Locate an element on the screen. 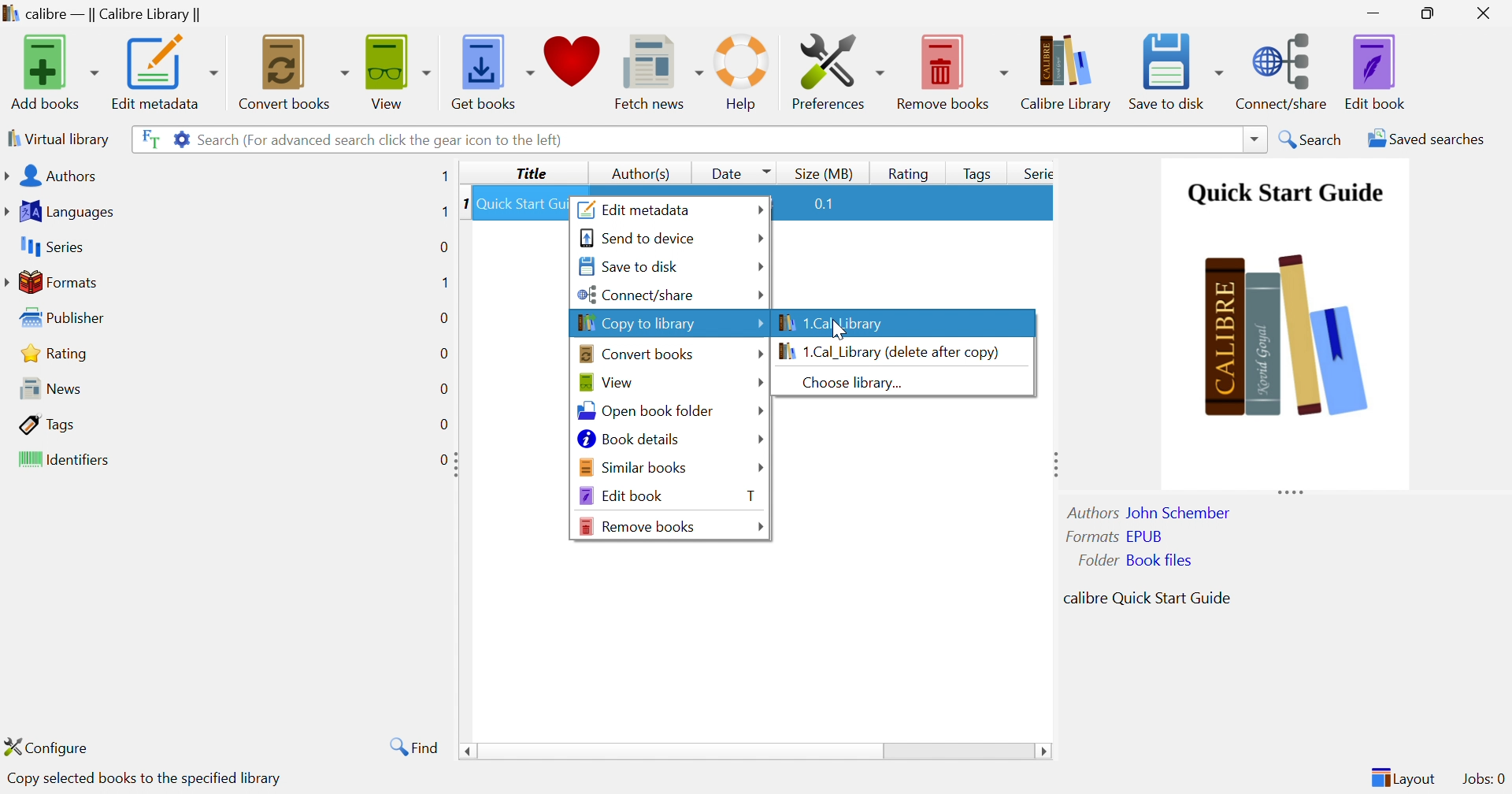 The width and height of the screenshot is (1512, 794). Scroll Right is located at coordinates (1044, 752).